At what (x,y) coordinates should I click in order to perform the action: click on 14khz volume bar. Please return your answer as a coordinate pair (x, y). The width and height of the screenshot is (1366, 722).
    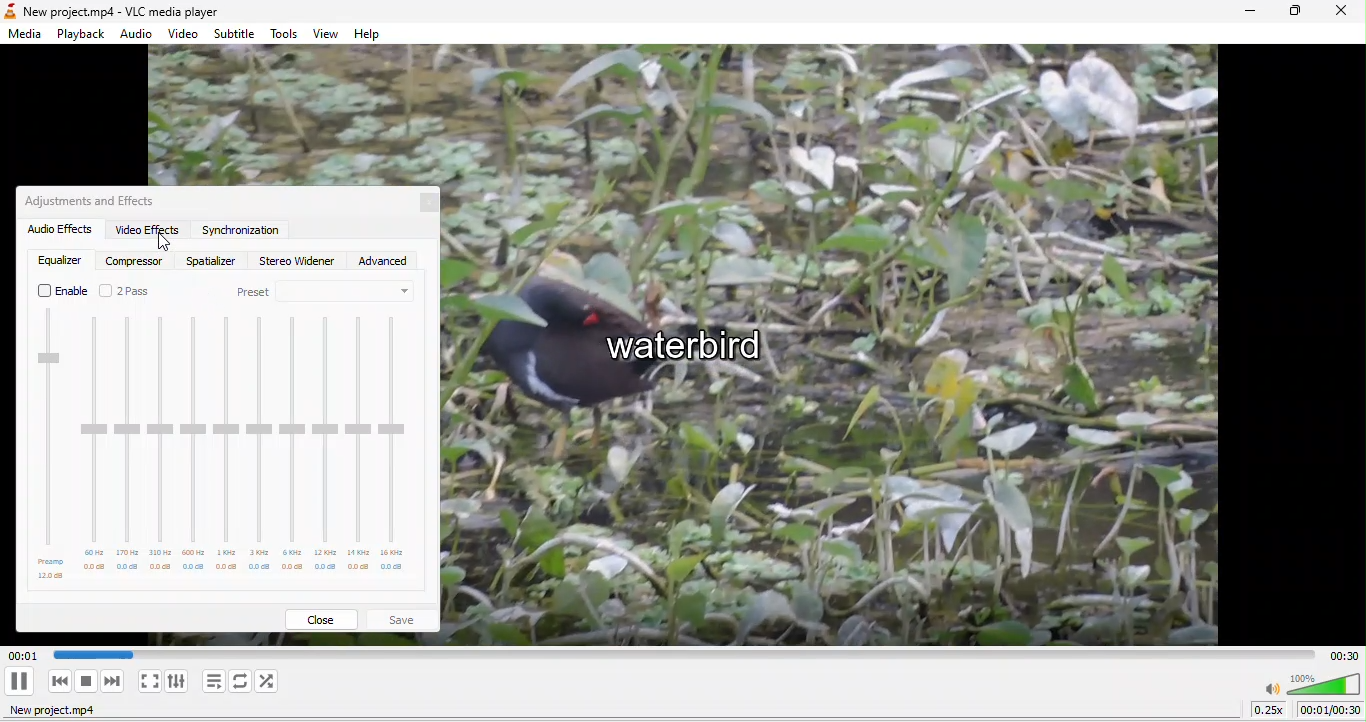
    Looking at the image, I should click on (357, 446).